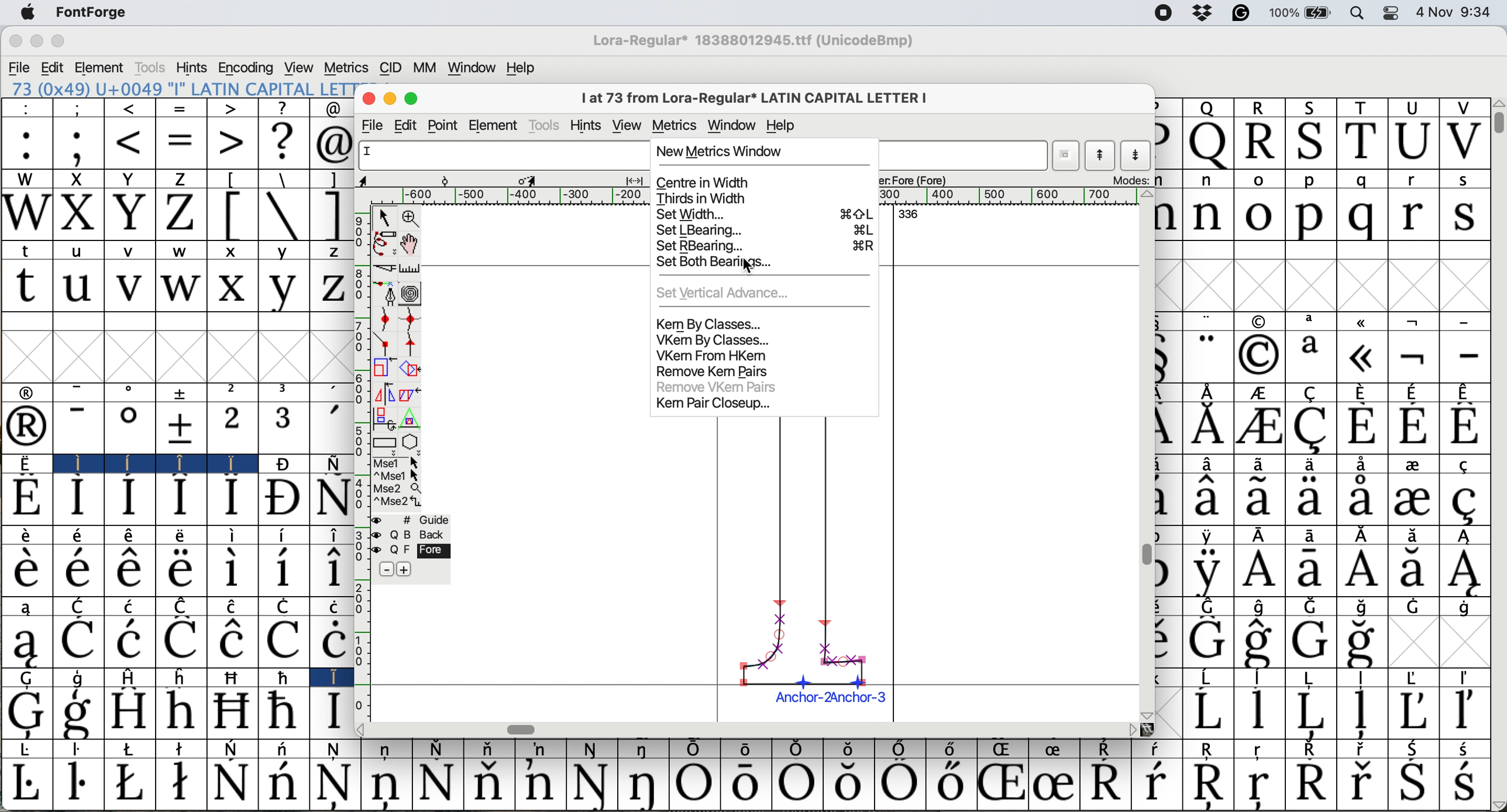 The image size is (1507, 812). Describe the element at coordinates (1058, 749) in the screenshot. I see `Symbol` at that location.